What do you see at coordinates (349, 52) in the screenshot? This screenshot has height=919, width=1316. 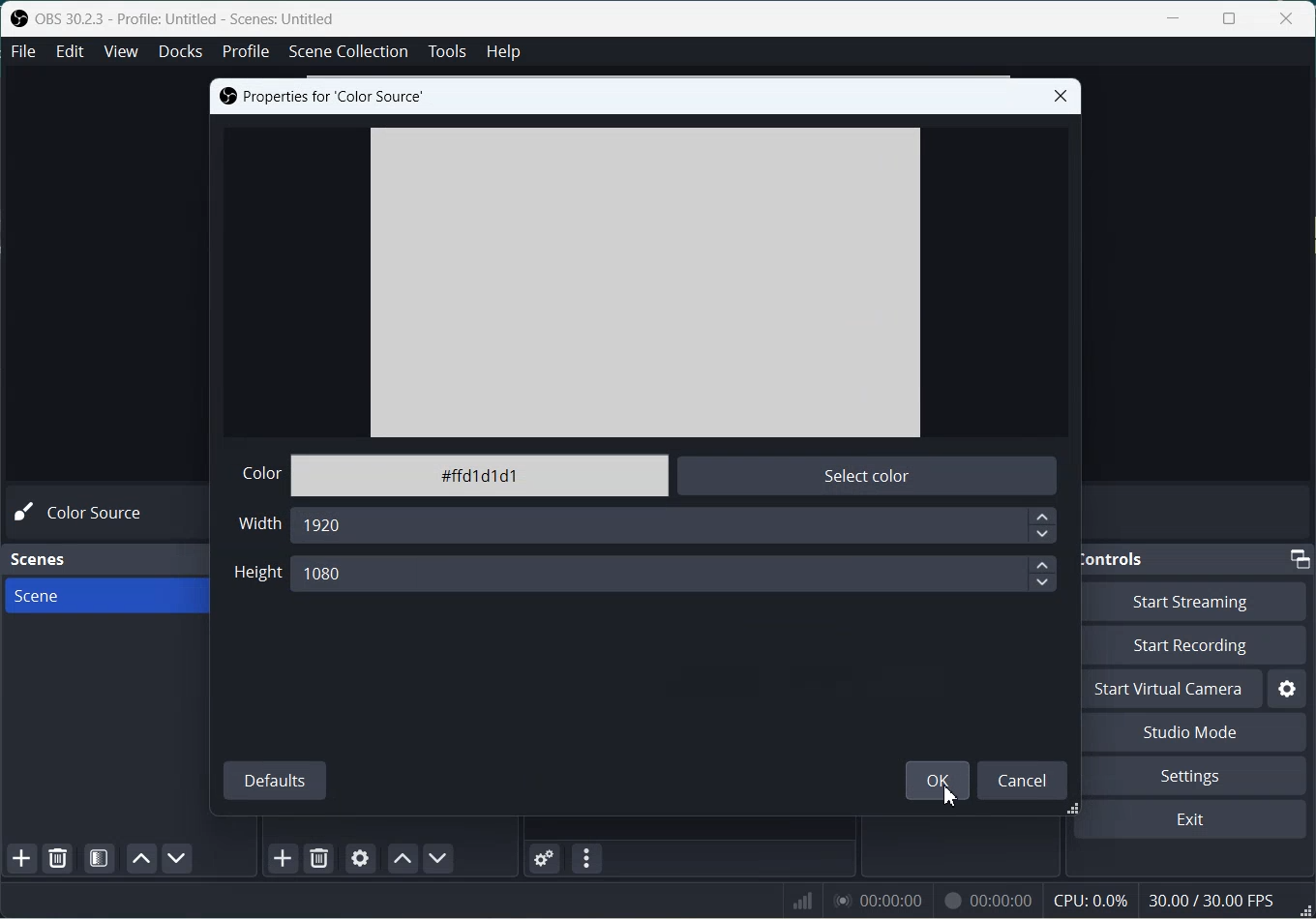 I see `Scene Collection` at bounding box center [349, 52].